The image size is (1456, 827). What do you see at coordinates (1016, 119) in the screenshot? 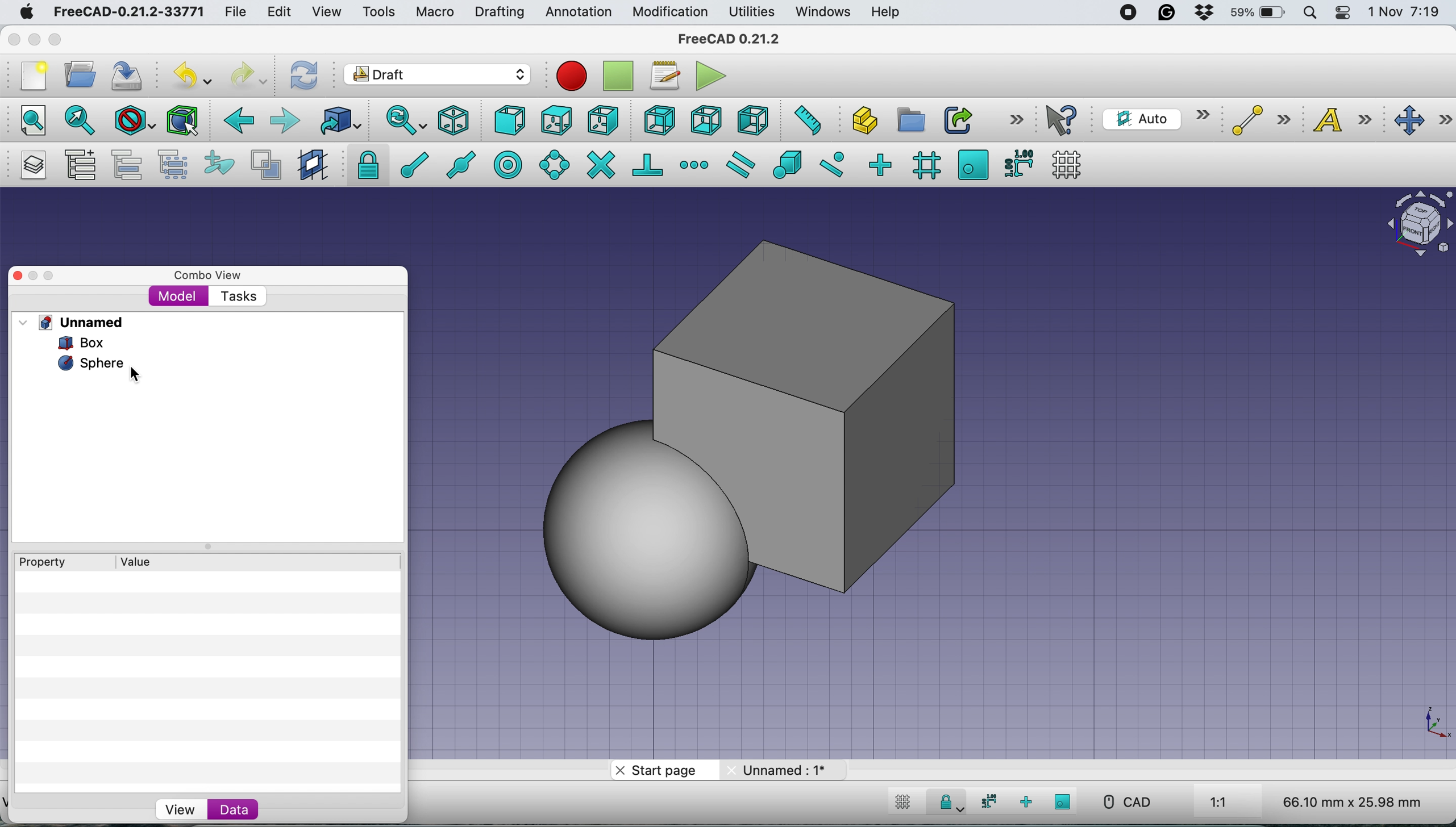
I see `more options` at bounding box center [1016, 119].